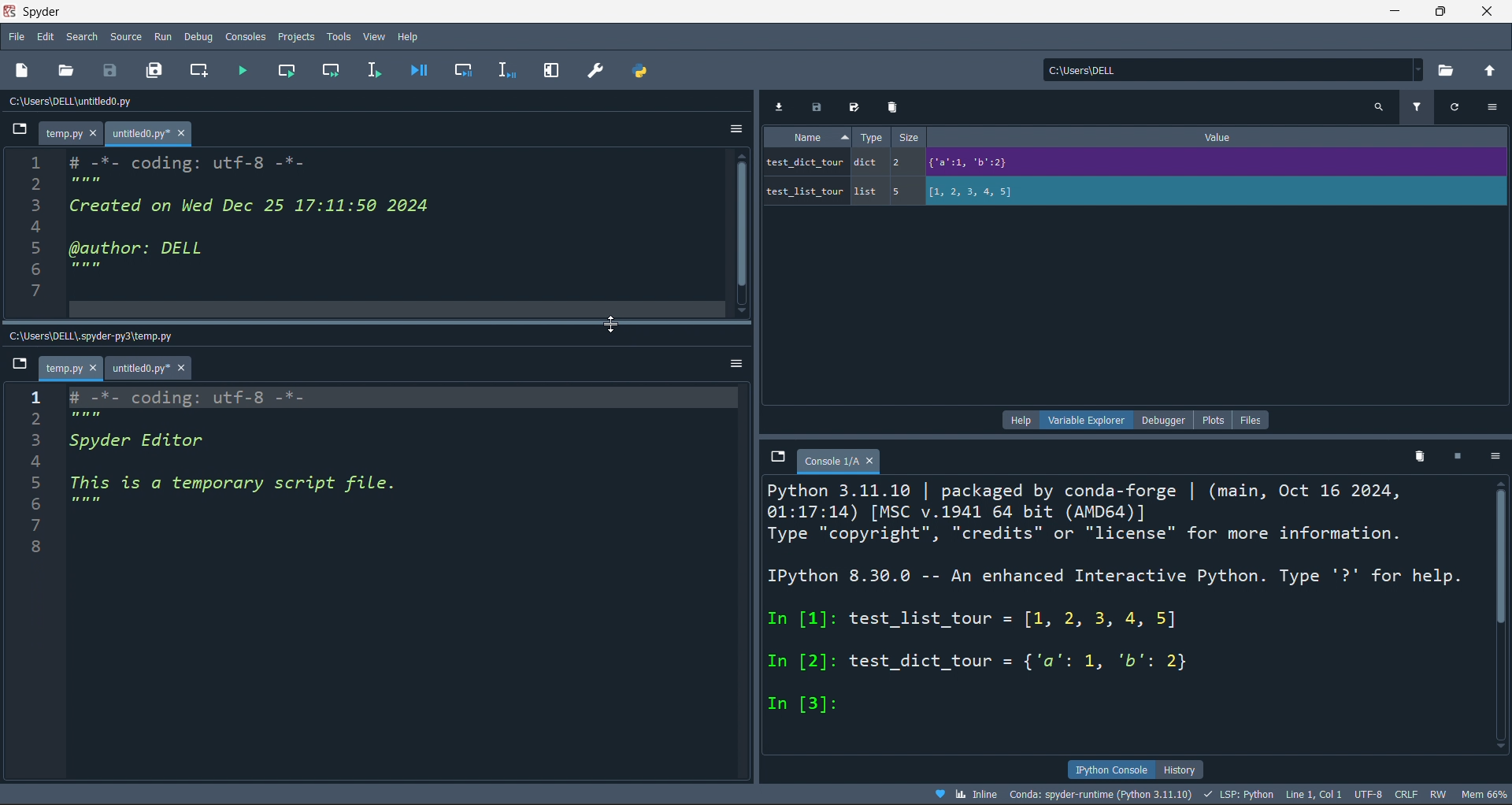 This screenshot has height=805, width=1512. What do you see at coordinates (732, 126) in the screenshot?
I see `options` at bounding box center [732, 126].